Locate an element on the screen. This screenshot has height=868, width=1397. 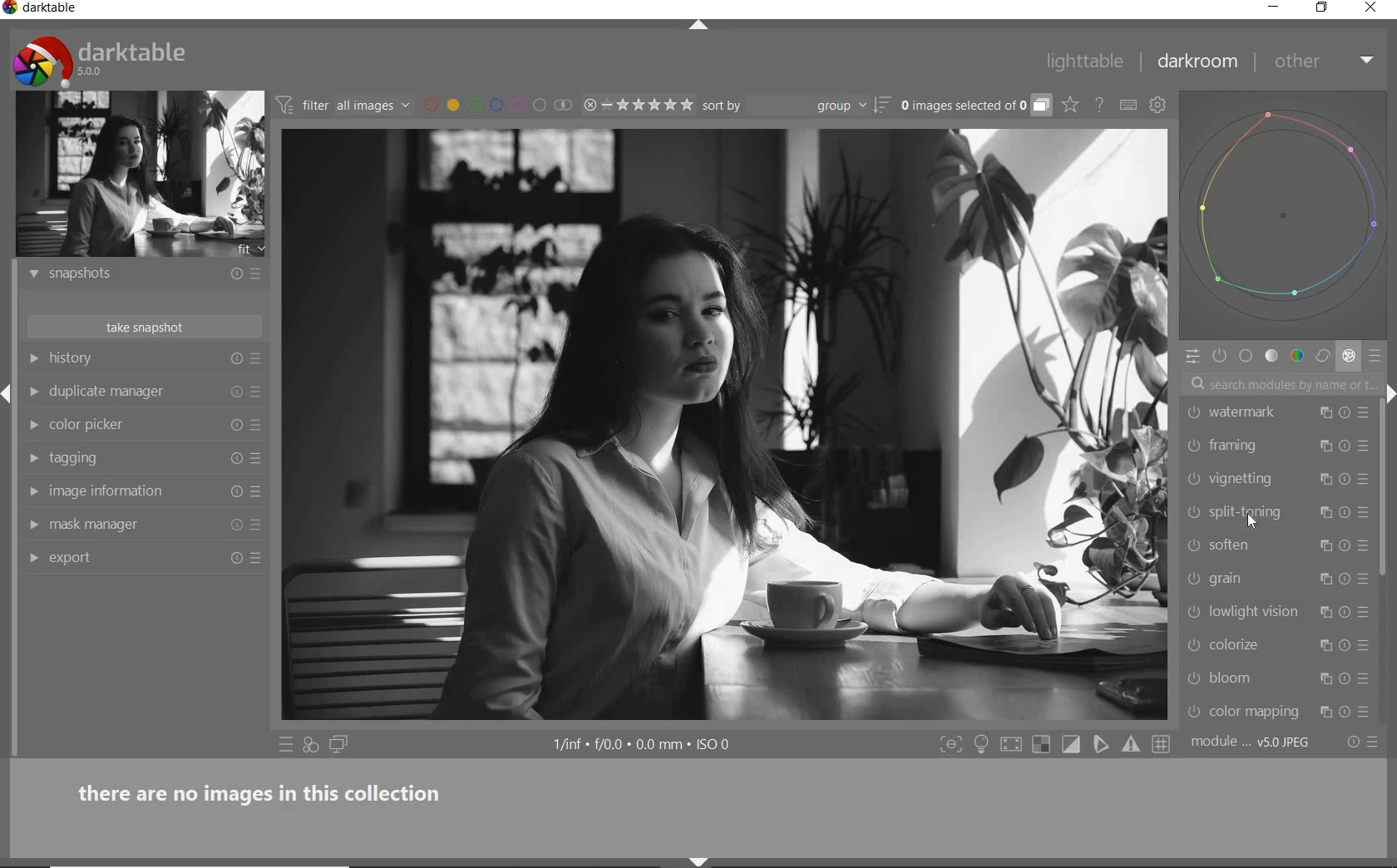
toggle high quality processing is located at coordinates (1013, 745).